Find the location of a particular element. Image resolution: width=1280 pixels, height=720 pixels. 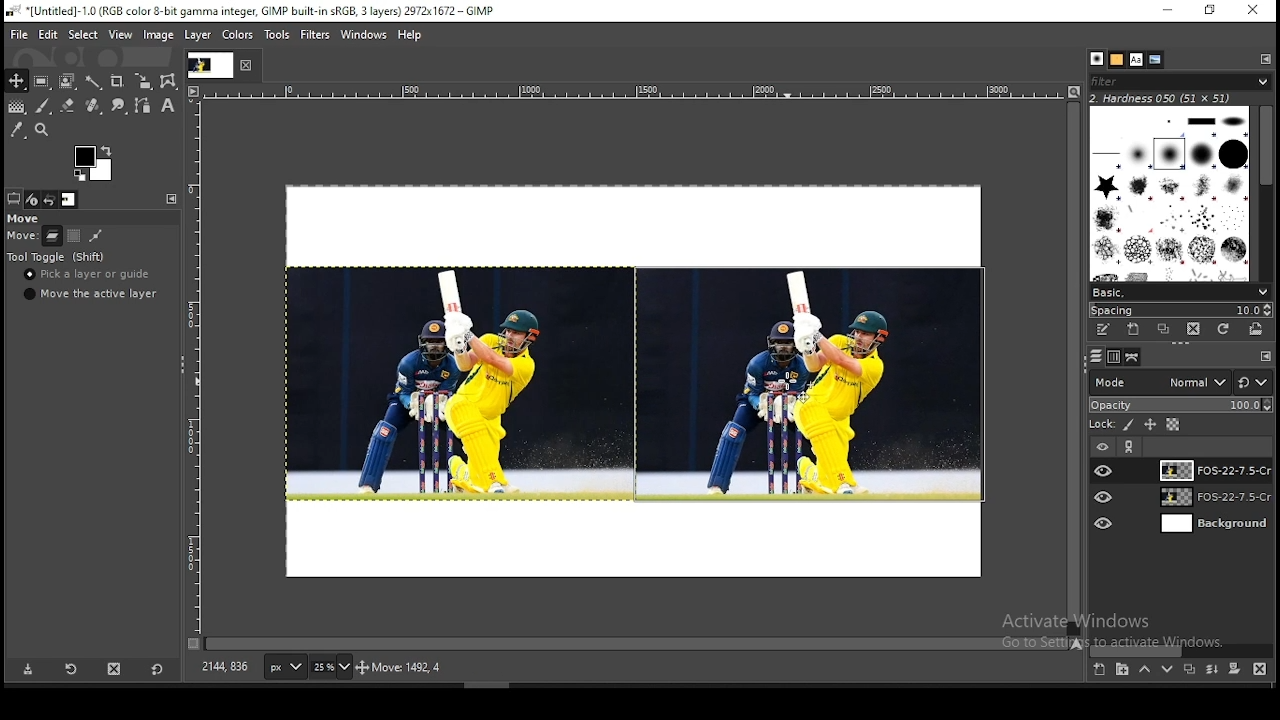

images is located at coordinates (69, 200).